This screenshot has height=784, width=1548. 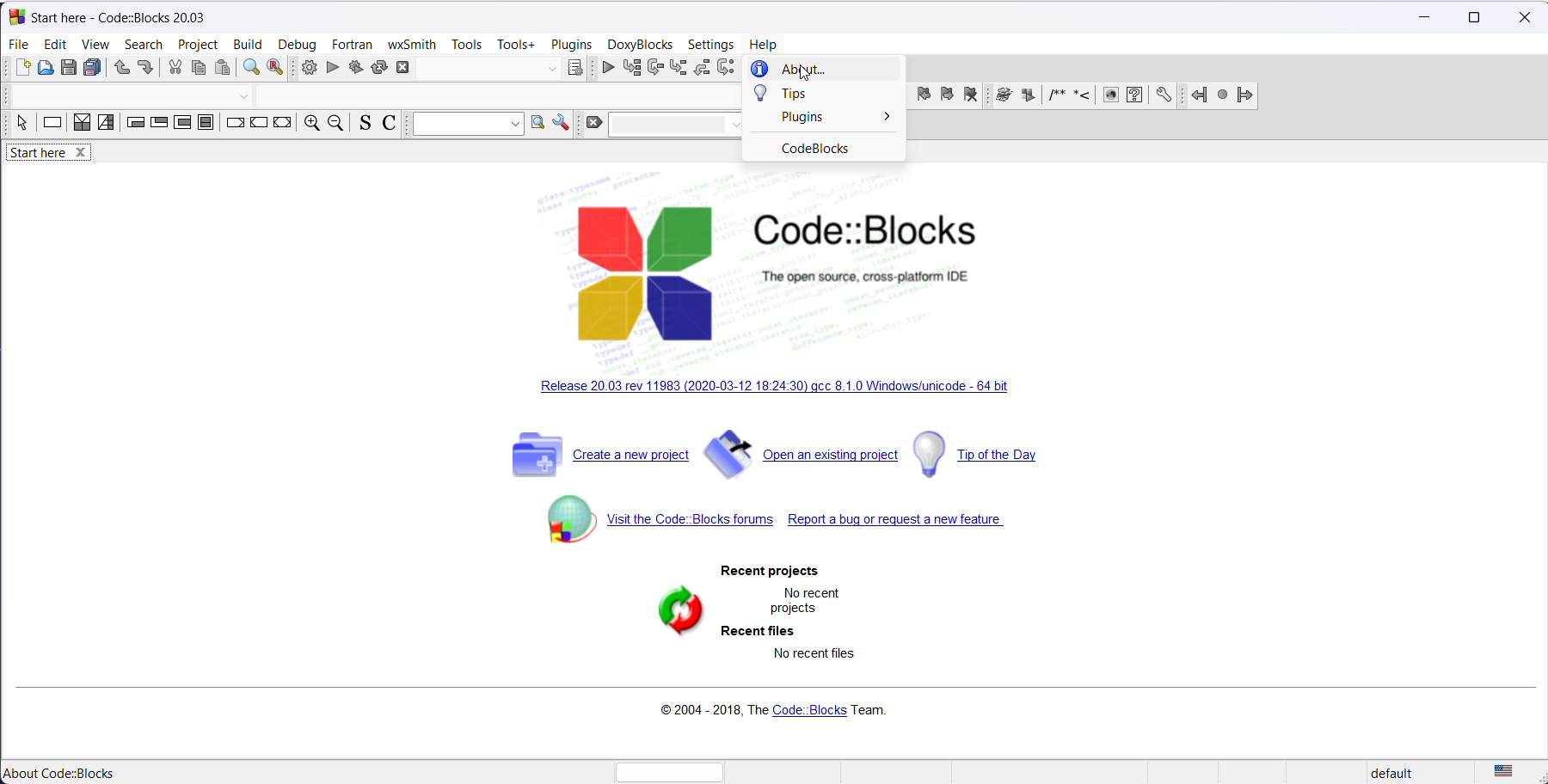 I want to click on help, so click(x=765, y=44).